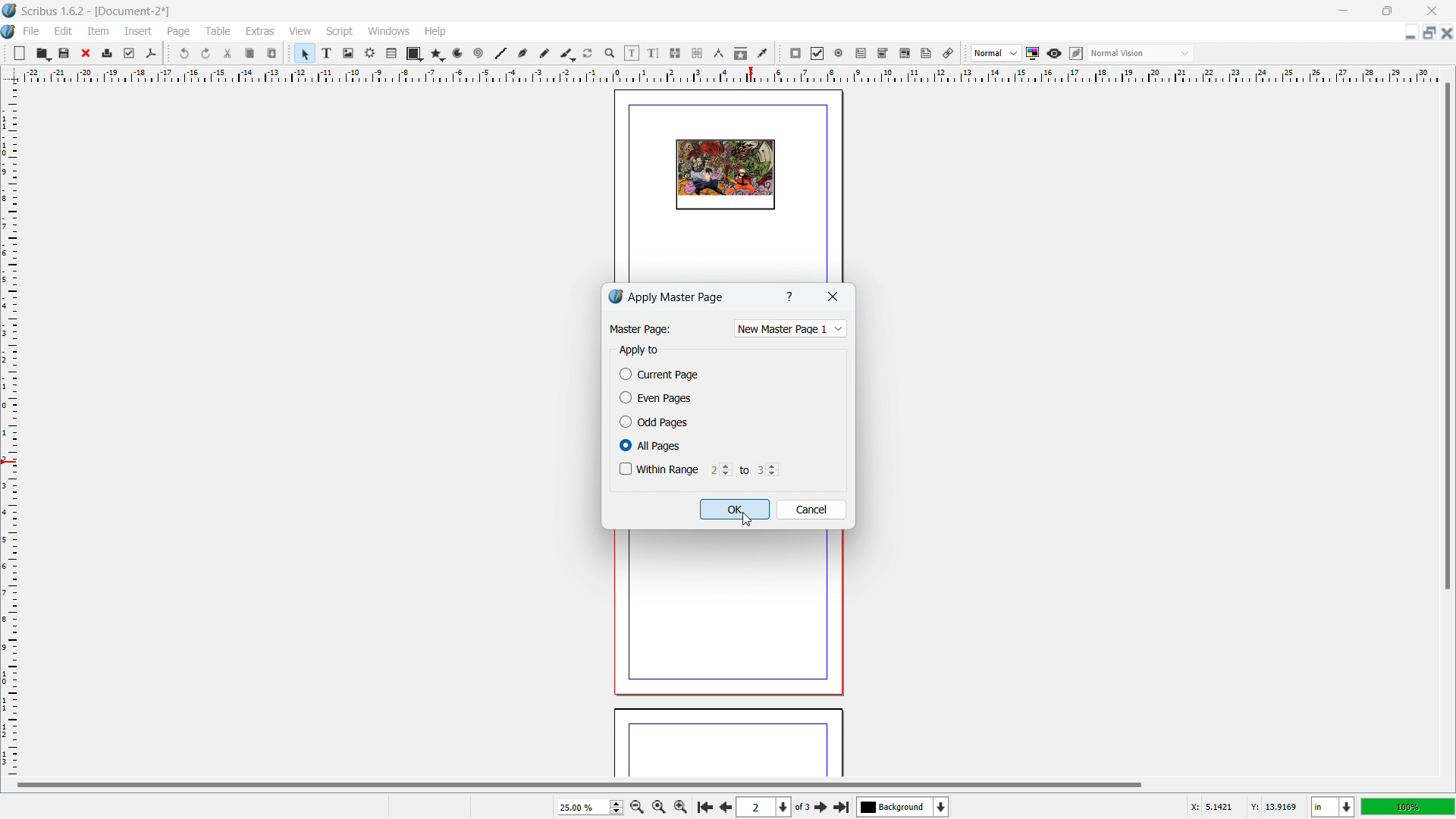  What do you see at coordinates (348, 53) in the screenshot?
I see `image frame` at bounding box center [348, 53].